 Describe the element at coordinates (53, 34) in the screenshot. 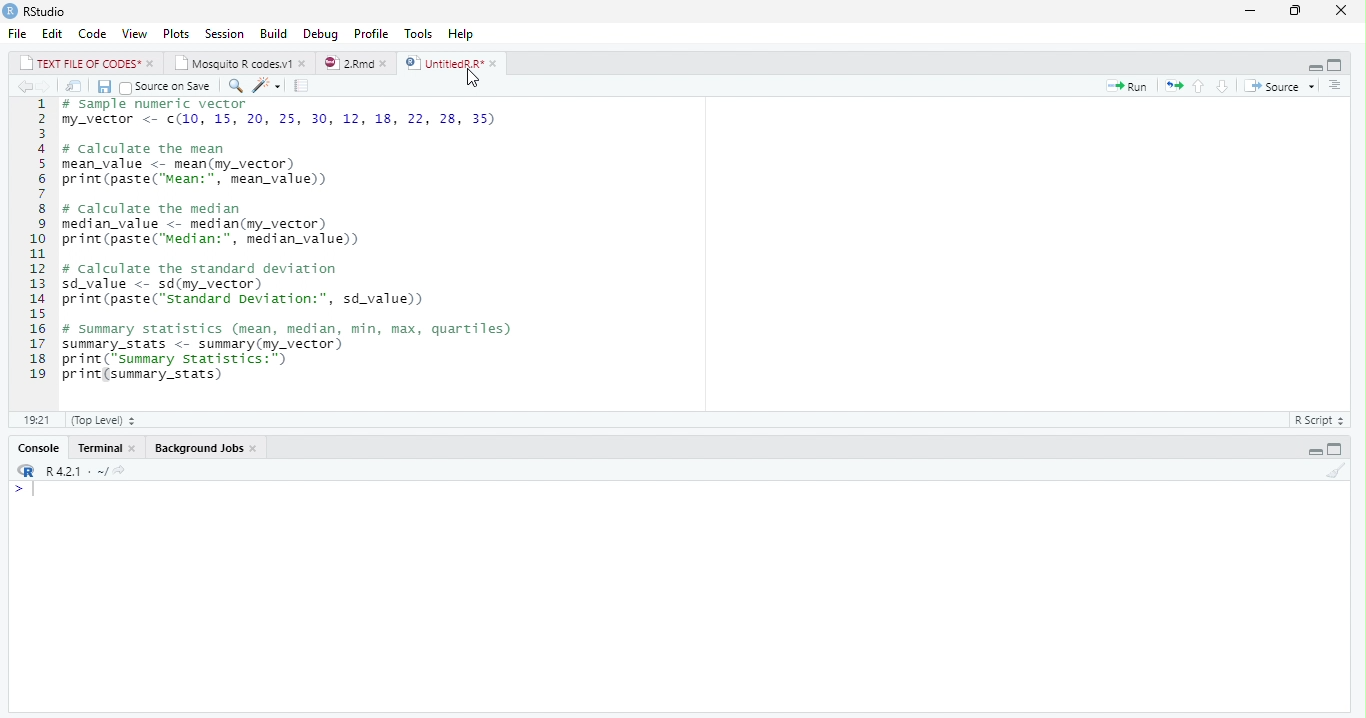

I see `edit` at that location.